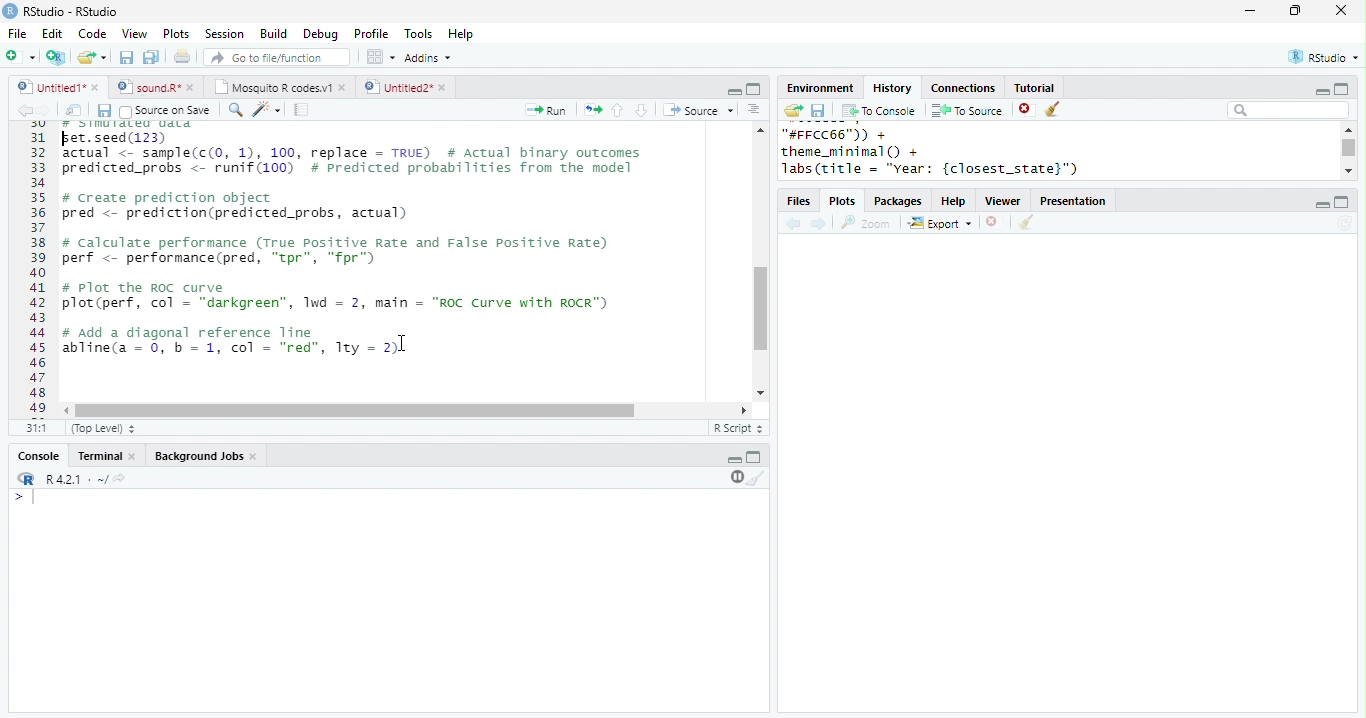 This screenshot has width=1366, height=718. What do you see at coordinates (461, 35) in the screenshot?
I see `Help` at bounding box center [461, 35].